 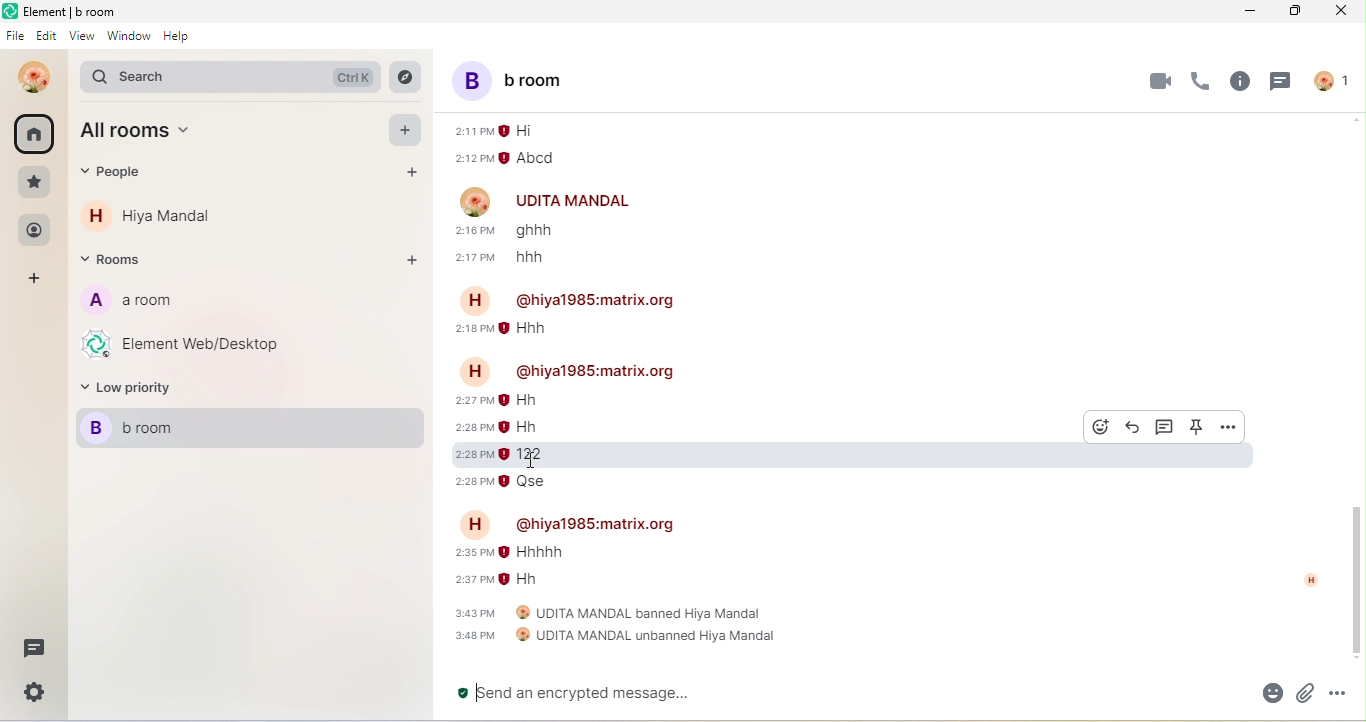 I want to click on 2:37 pm Hh, so click(x=496, y=580).